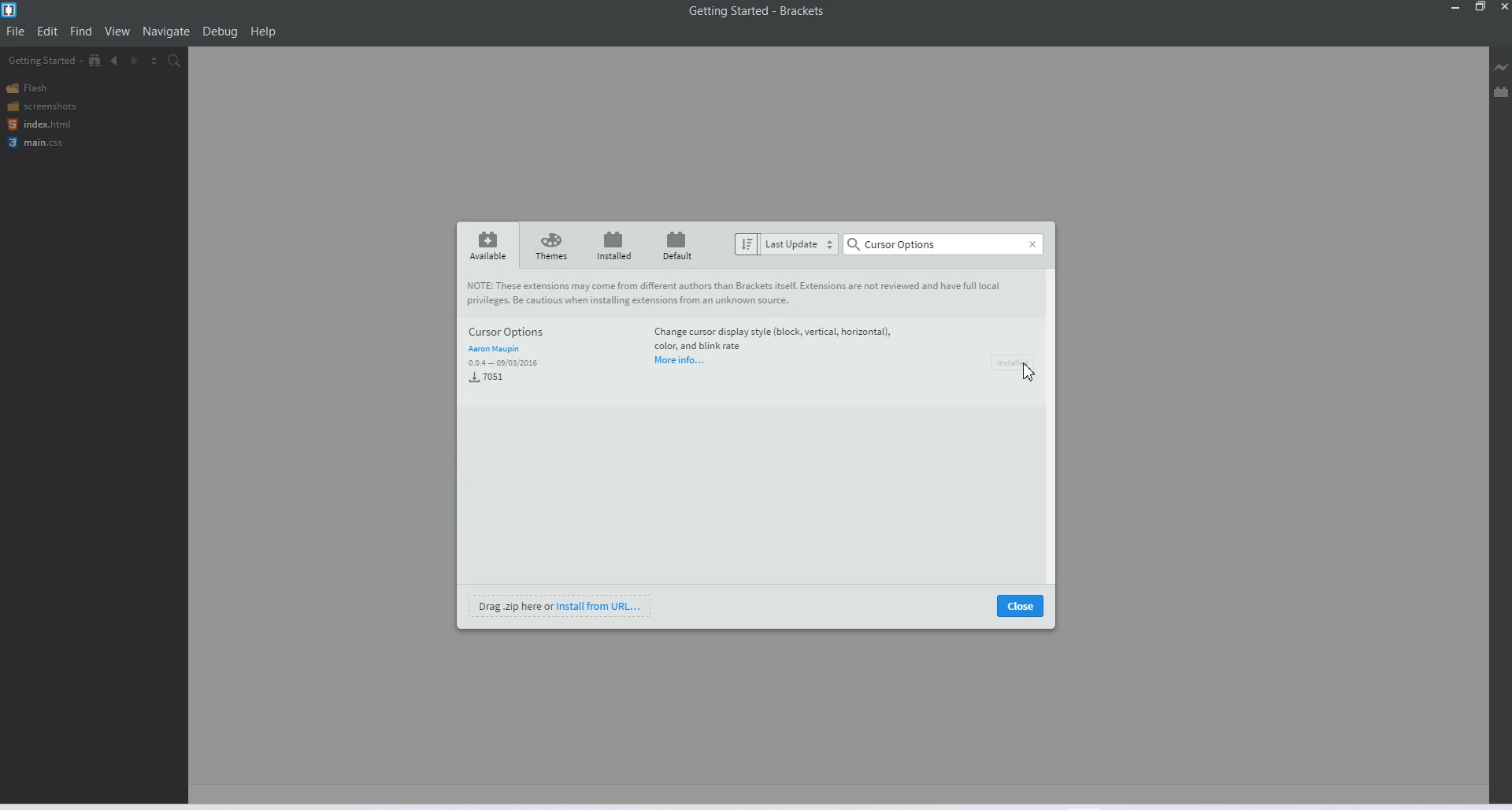  Describe the element at coordinates (41, 106) in the screenshot. I see `Screenshots` at that location.